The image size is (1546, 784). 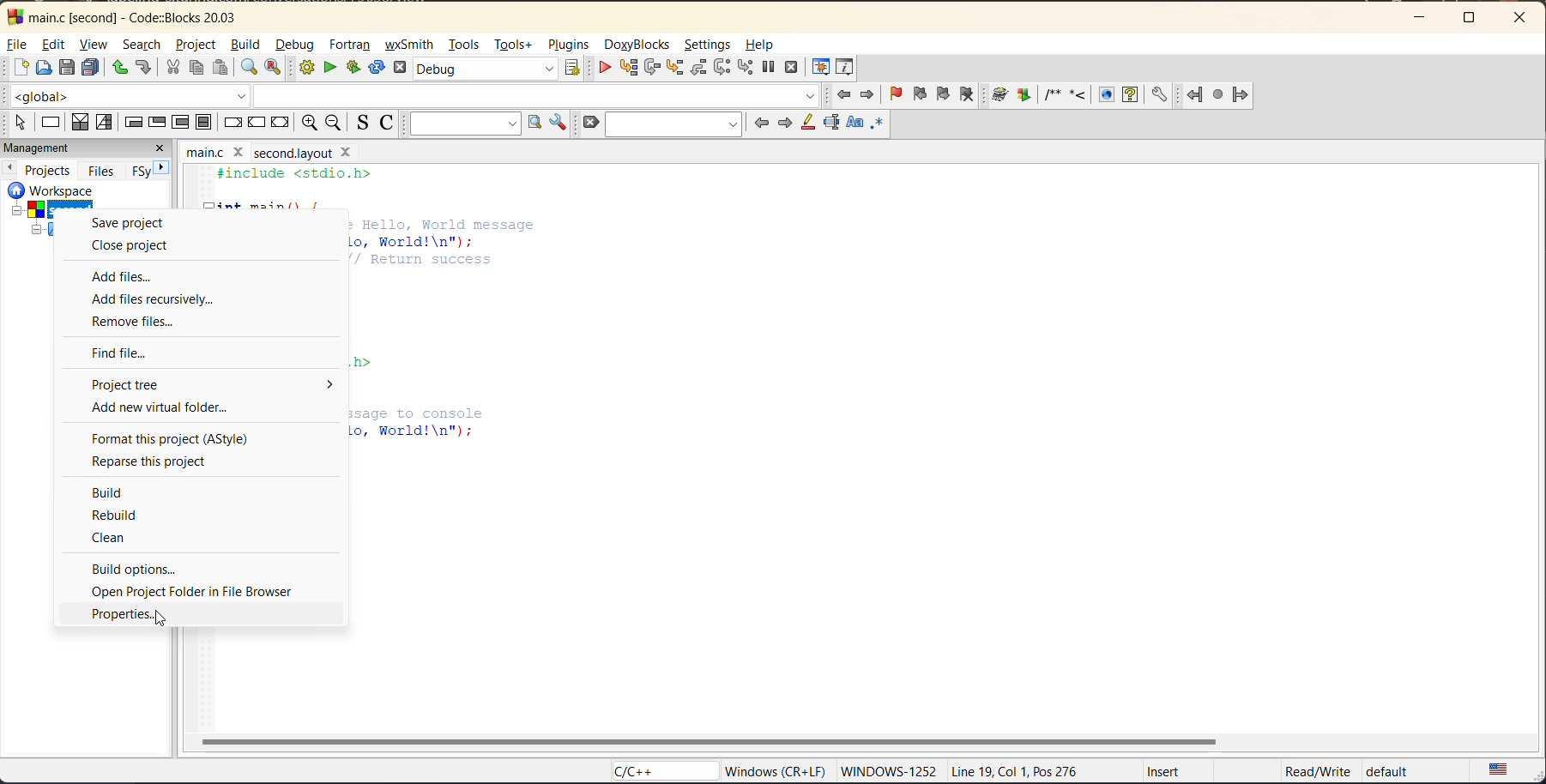 What do you see at coordinates (173, 69) in the screenshot?
I see `cut` at bounding box center [173, 69].